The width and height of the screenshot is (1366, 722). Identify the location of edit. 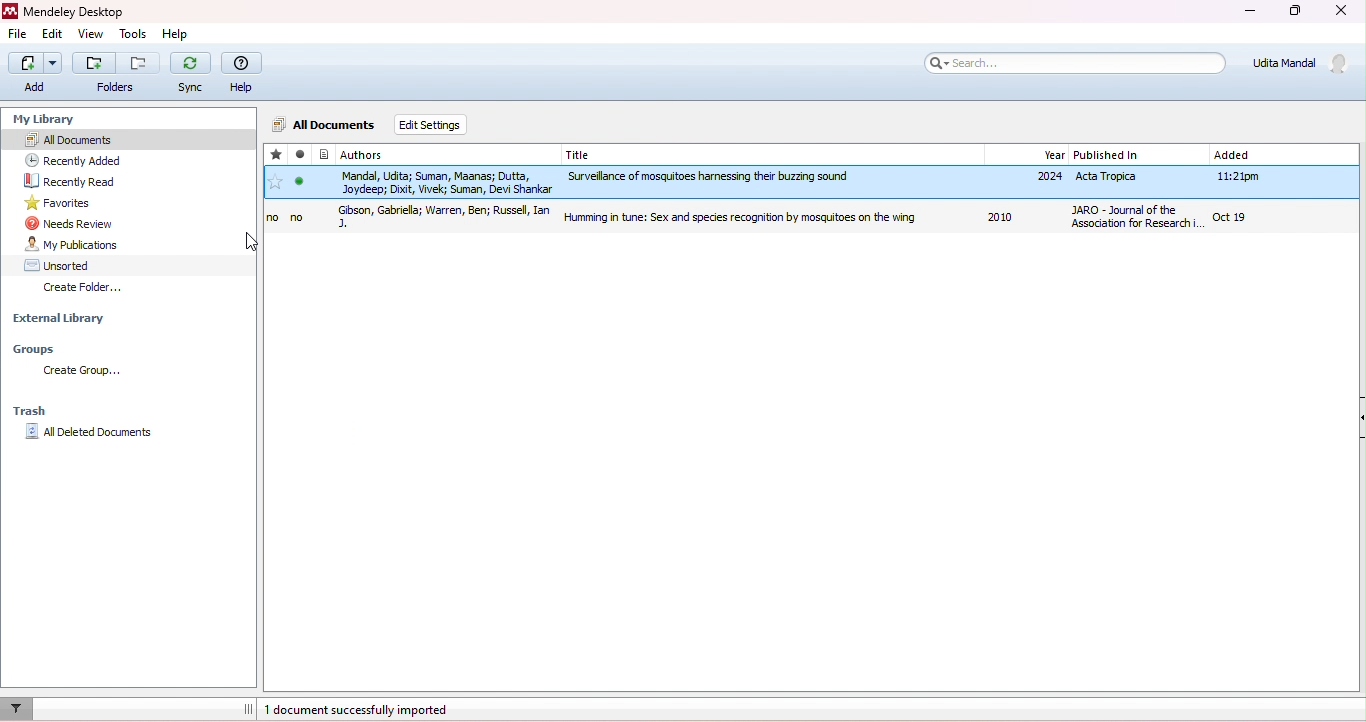
(18, 35).